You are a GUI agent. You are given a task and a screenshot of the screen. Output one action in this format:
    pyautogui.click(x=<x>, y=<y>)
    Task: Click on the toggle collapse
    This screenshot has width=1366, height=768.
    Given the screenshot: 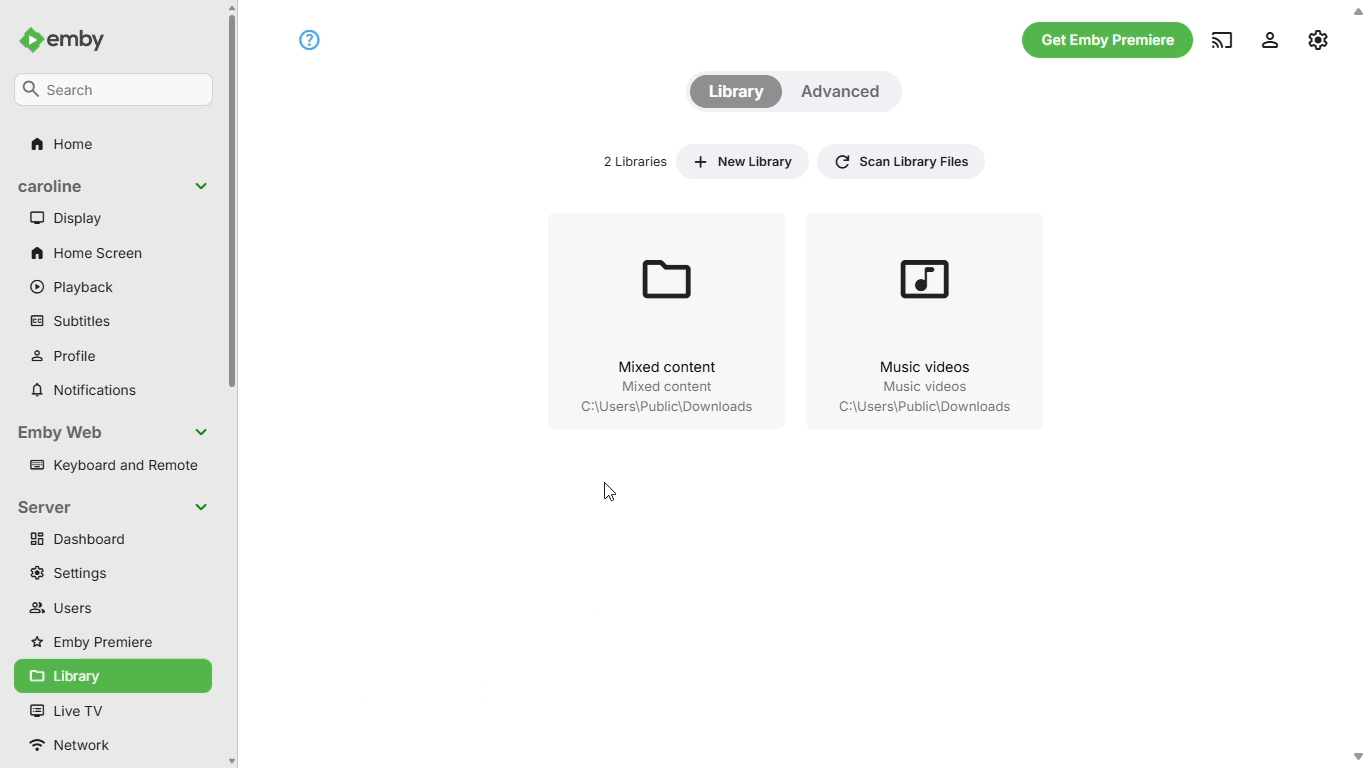 What is the action you would take?
    pyautogui.click(x=201, y=186)
    